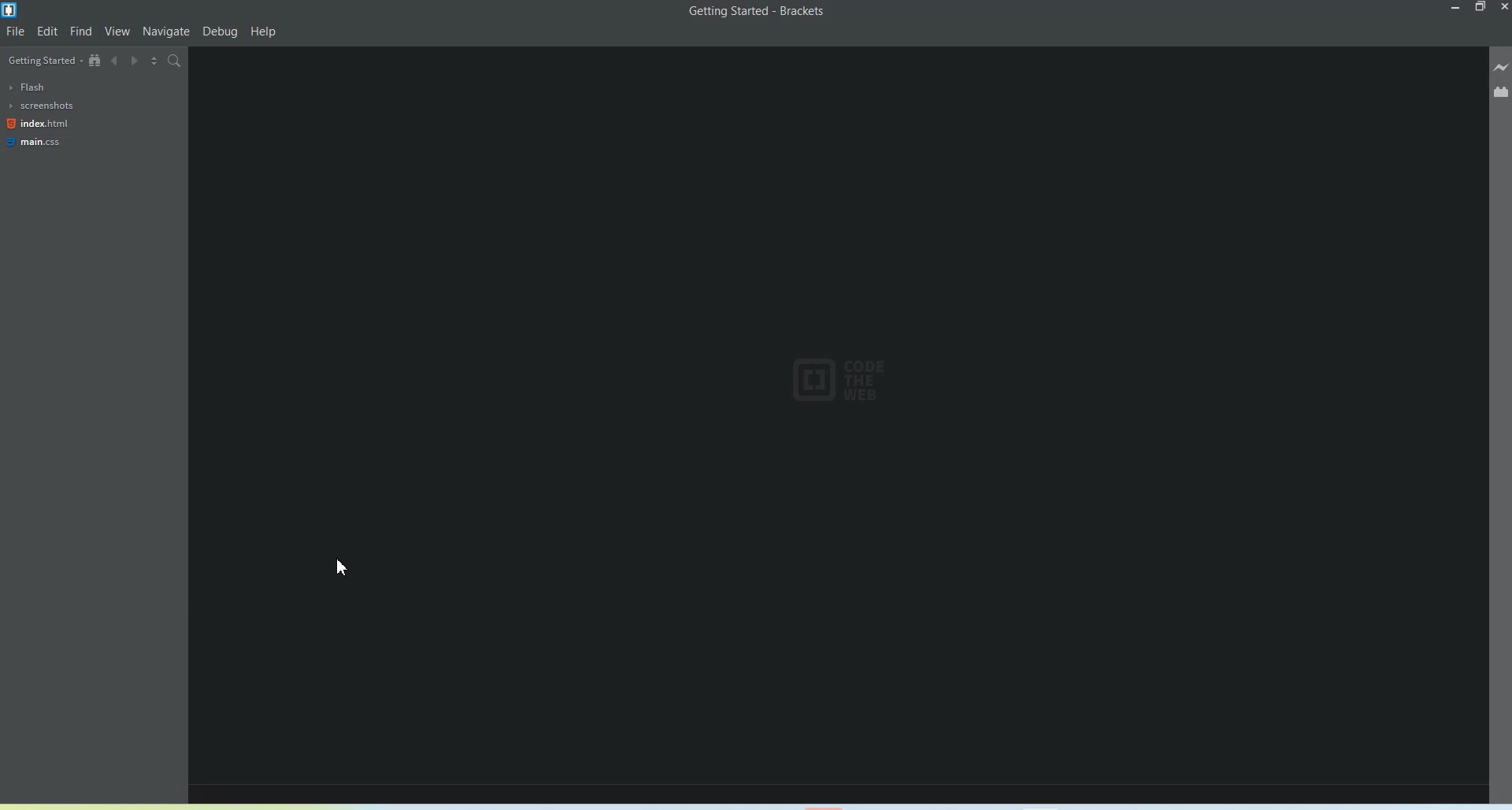 This screenshot has height=810, width=1512. Describe the element at coordinates (843, 380) in the screenshot. I see `Code the Web` at that location.